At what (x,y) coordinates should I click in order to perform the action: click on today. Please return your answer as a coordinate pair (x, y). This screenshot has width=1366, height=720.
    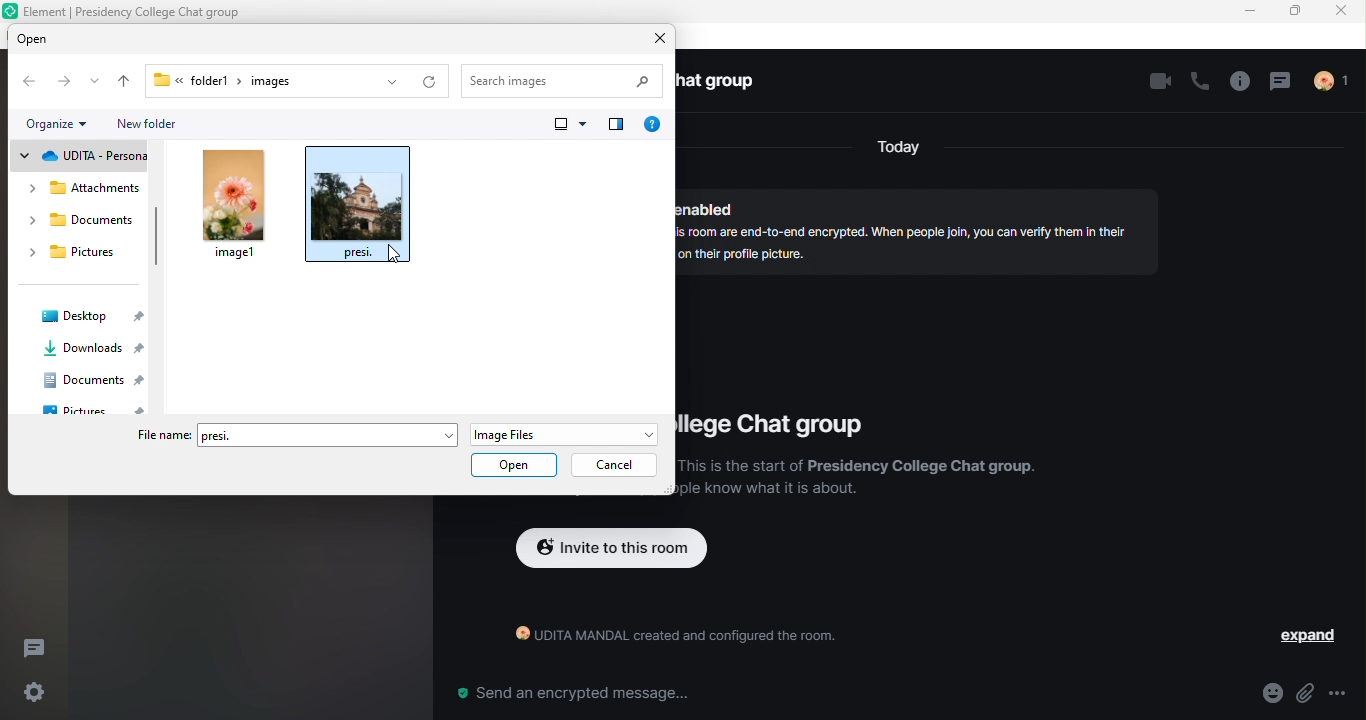
    Looking at the image, I should click on (899, 149).